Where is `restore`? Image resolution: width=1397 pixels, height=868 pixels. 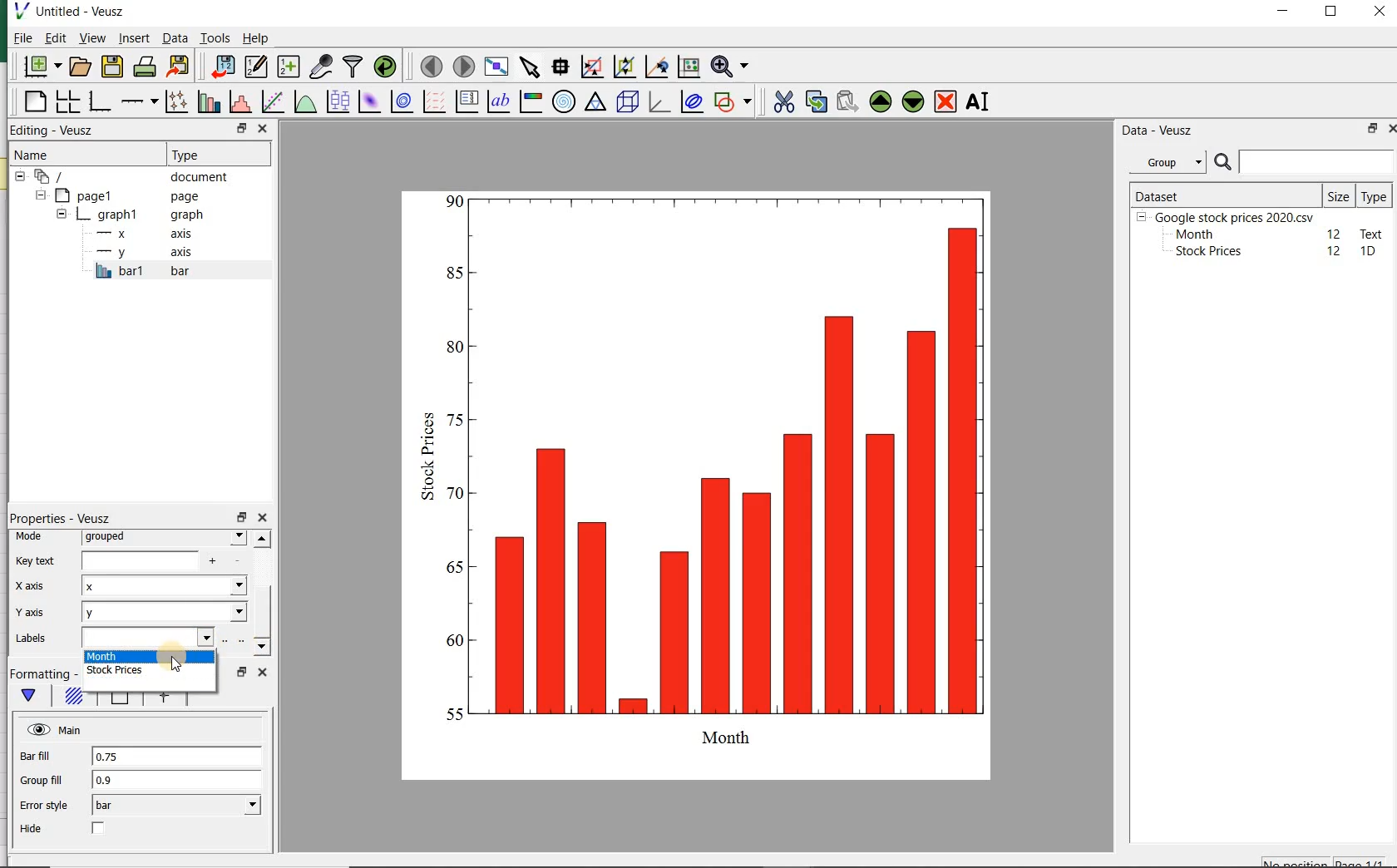
restore is located at coordinates (240, 672).